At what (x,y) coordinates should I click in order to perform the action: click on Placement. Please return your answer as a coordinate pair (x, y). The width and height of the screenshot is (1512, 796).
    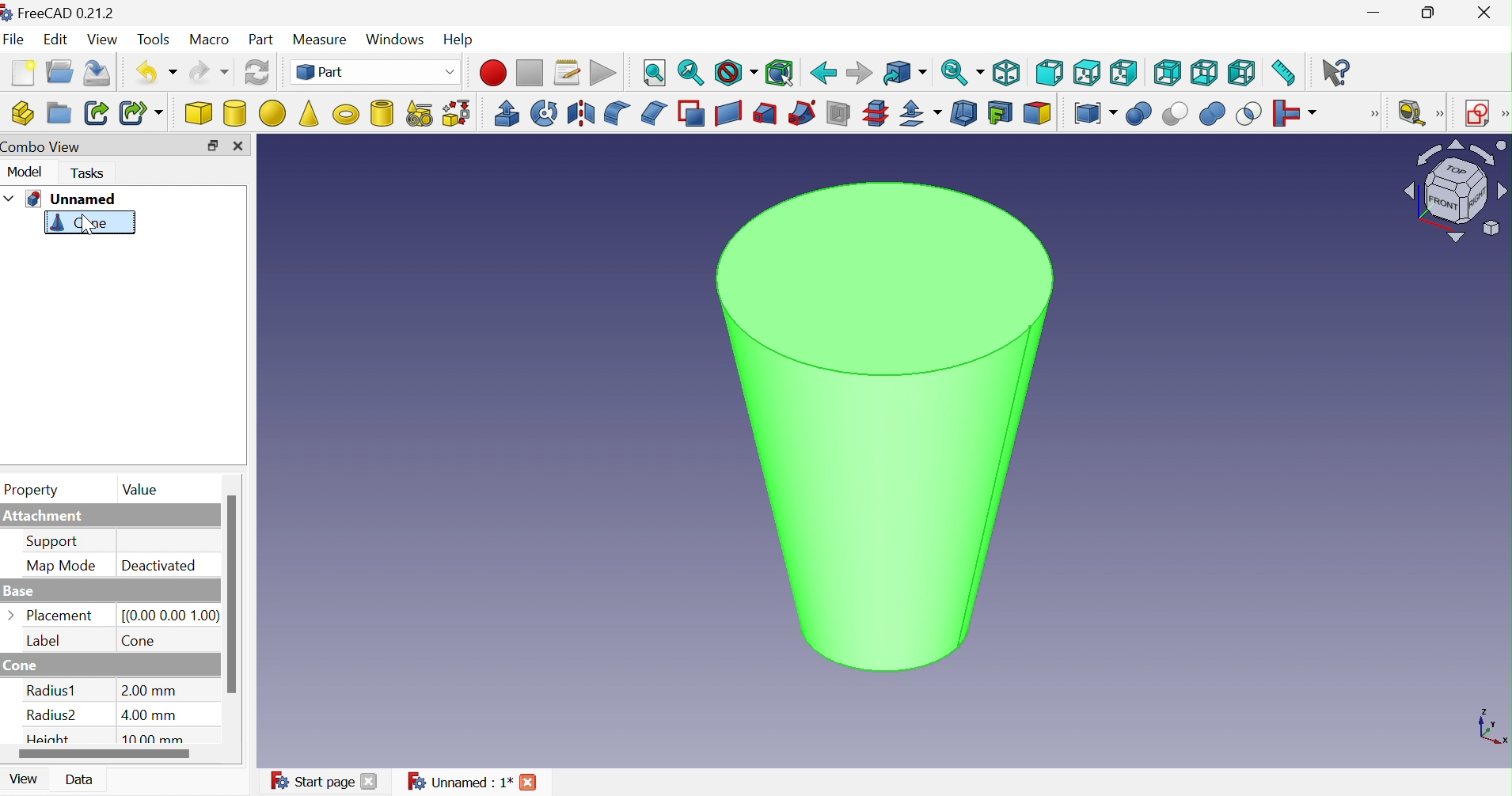
    Looking at the image, I should click on (63, 615).